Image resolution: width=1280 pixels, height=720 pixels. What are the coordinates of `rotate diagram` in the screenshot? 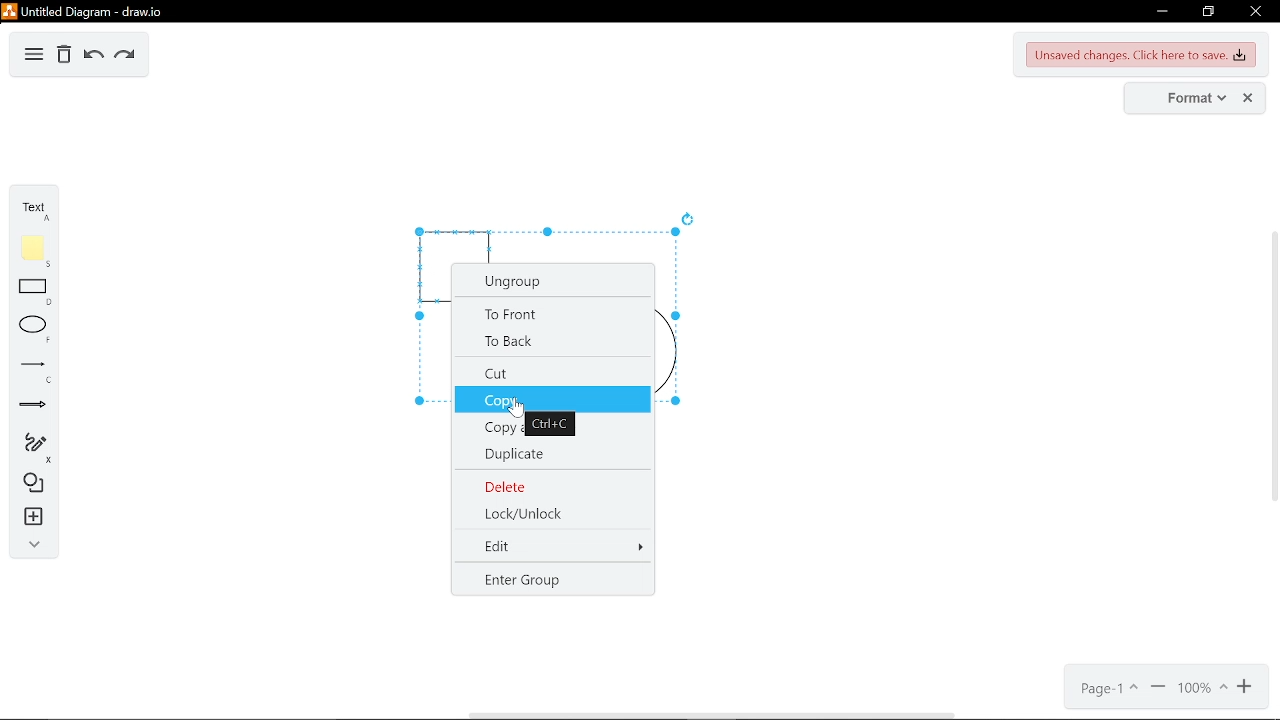 It's located at (690, 219).